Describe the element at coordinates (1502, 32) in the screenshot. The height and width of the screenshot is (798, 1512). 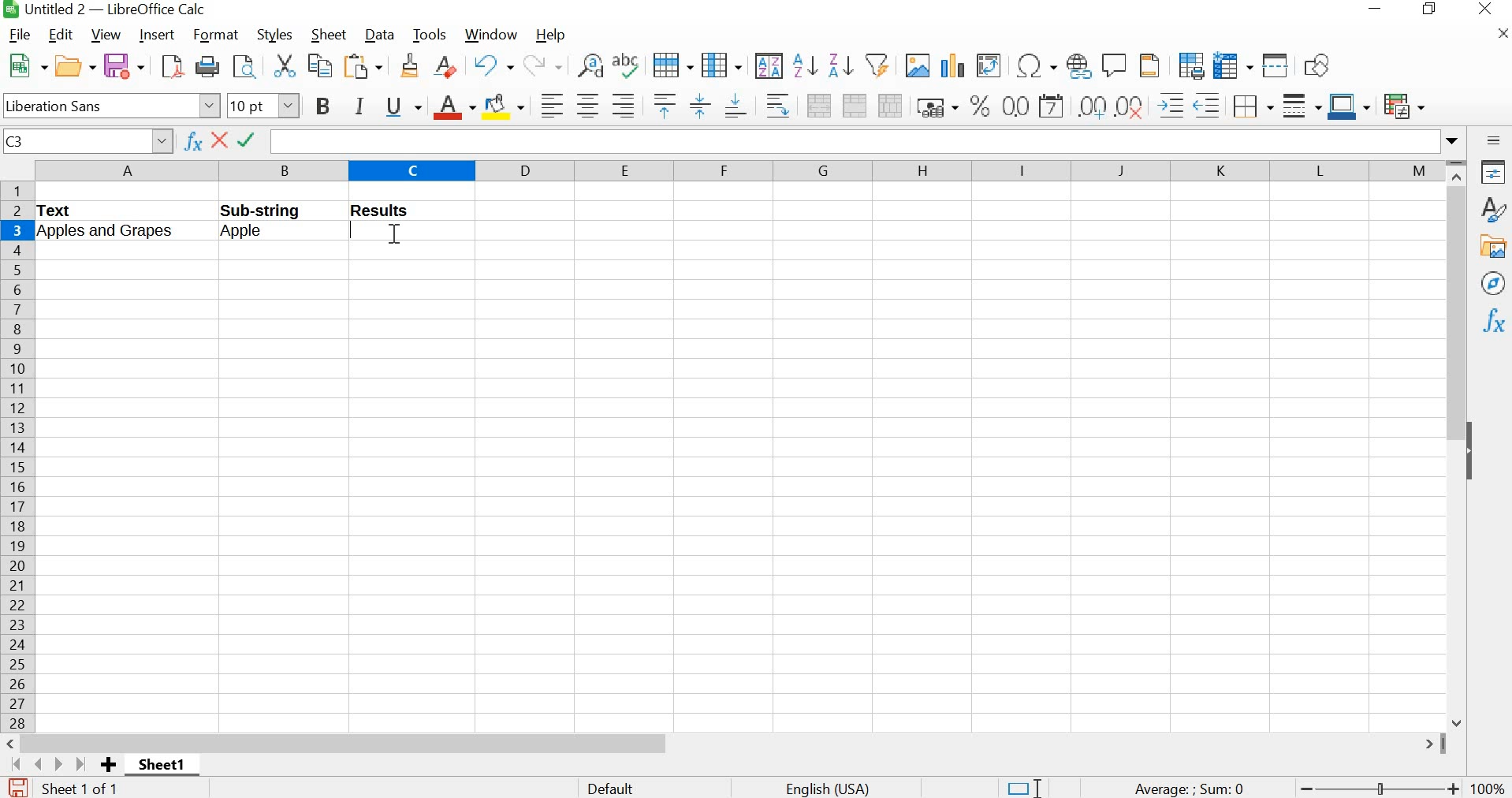
I see `close document` at that location.